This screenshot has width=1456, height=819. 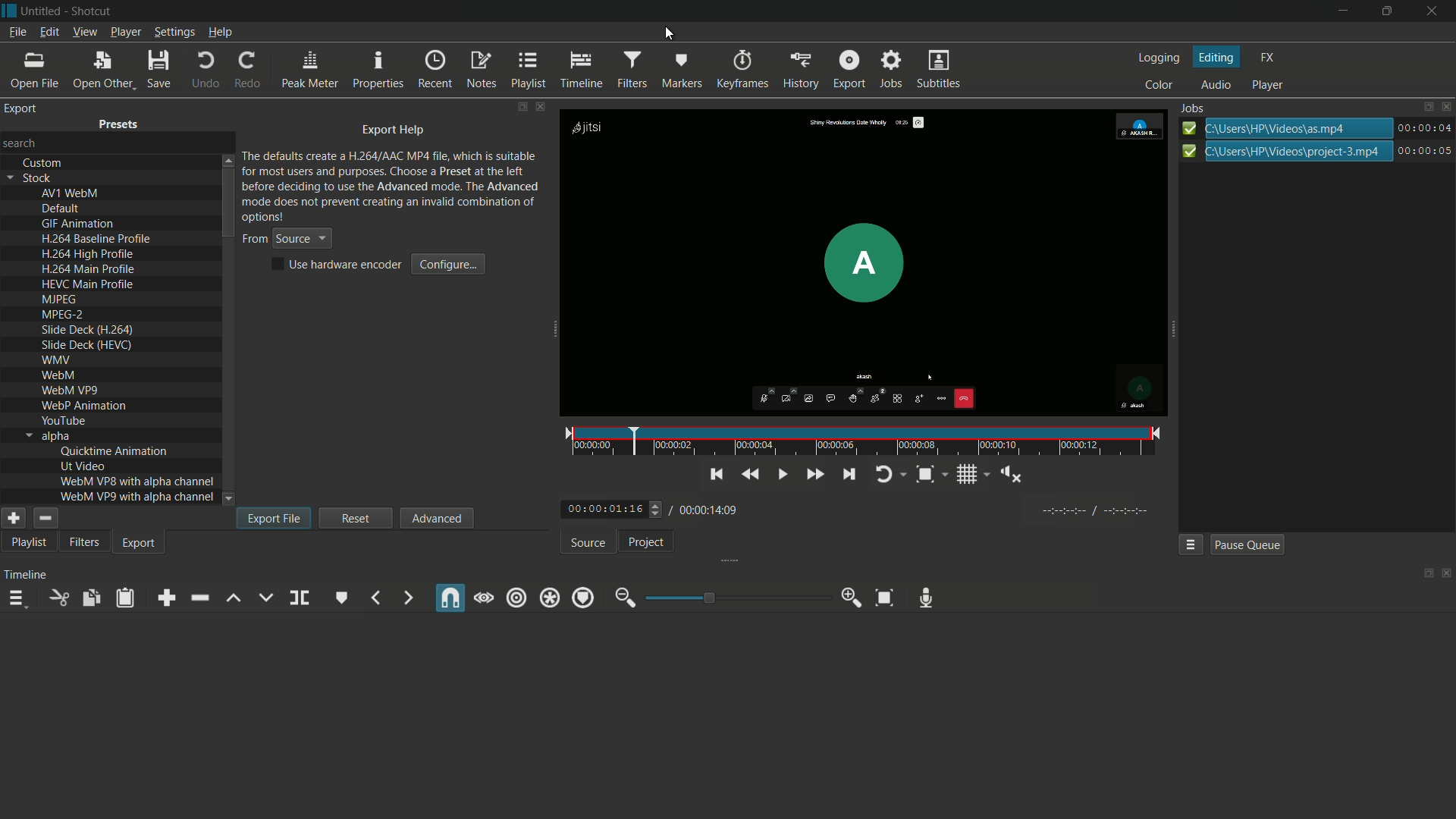 I want to click on copy checked filters, so click(x=89, y=597).